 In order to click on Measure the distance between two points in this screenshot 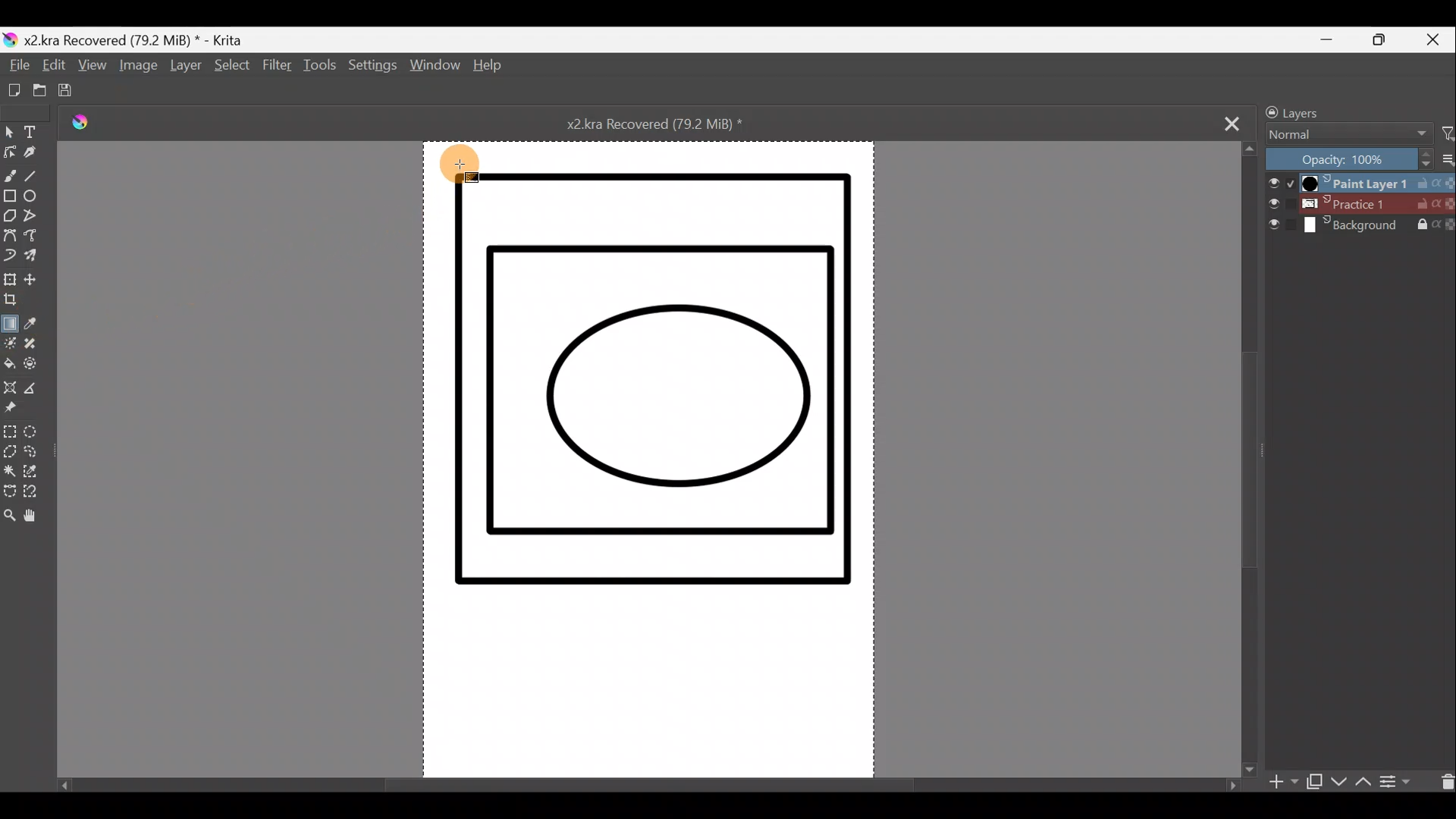, I will do `click(37, 393)`.